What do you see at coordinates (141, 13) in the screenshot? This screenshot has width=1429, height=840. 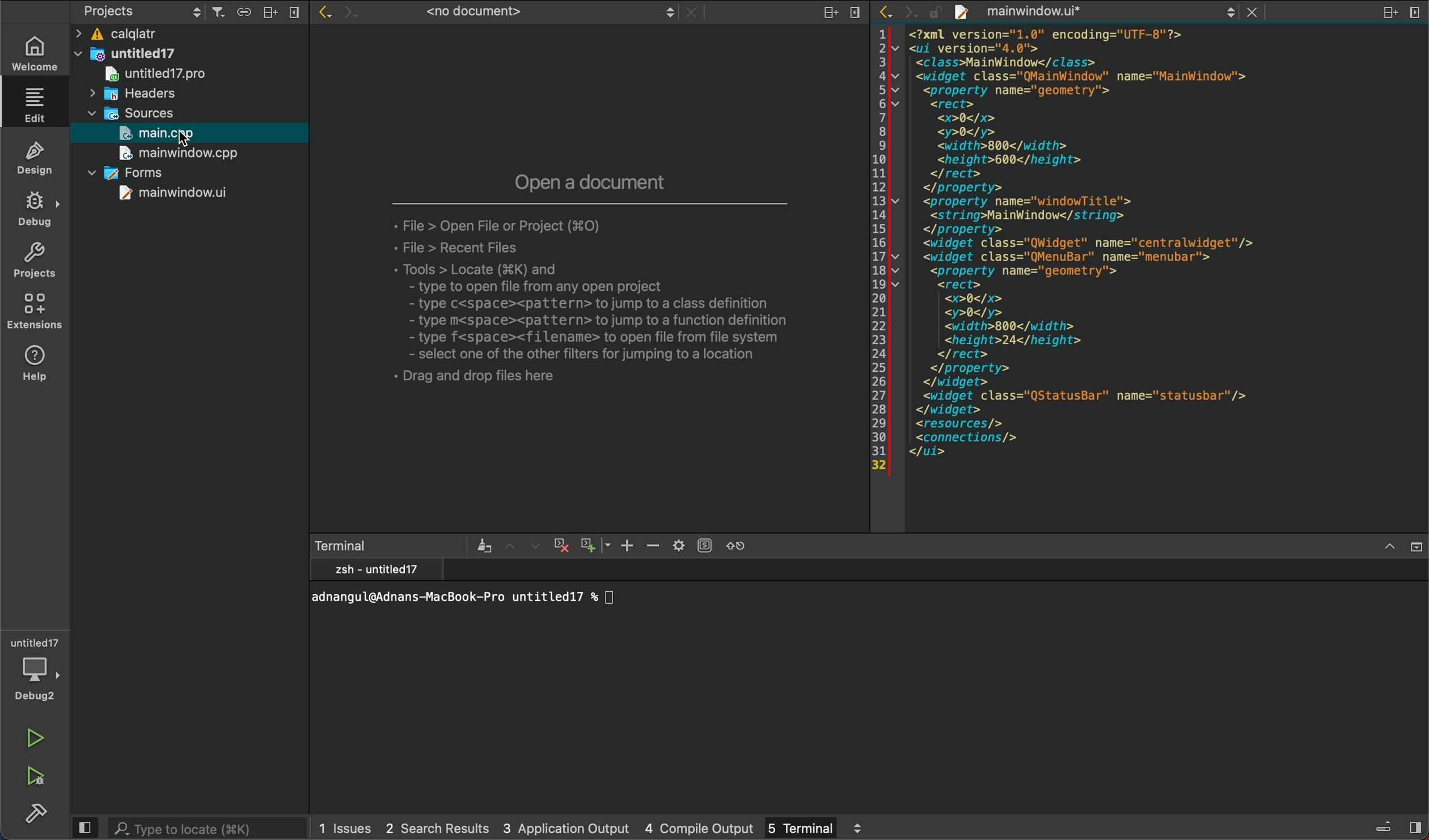 I see `projects` at bounding box center [141, 13].